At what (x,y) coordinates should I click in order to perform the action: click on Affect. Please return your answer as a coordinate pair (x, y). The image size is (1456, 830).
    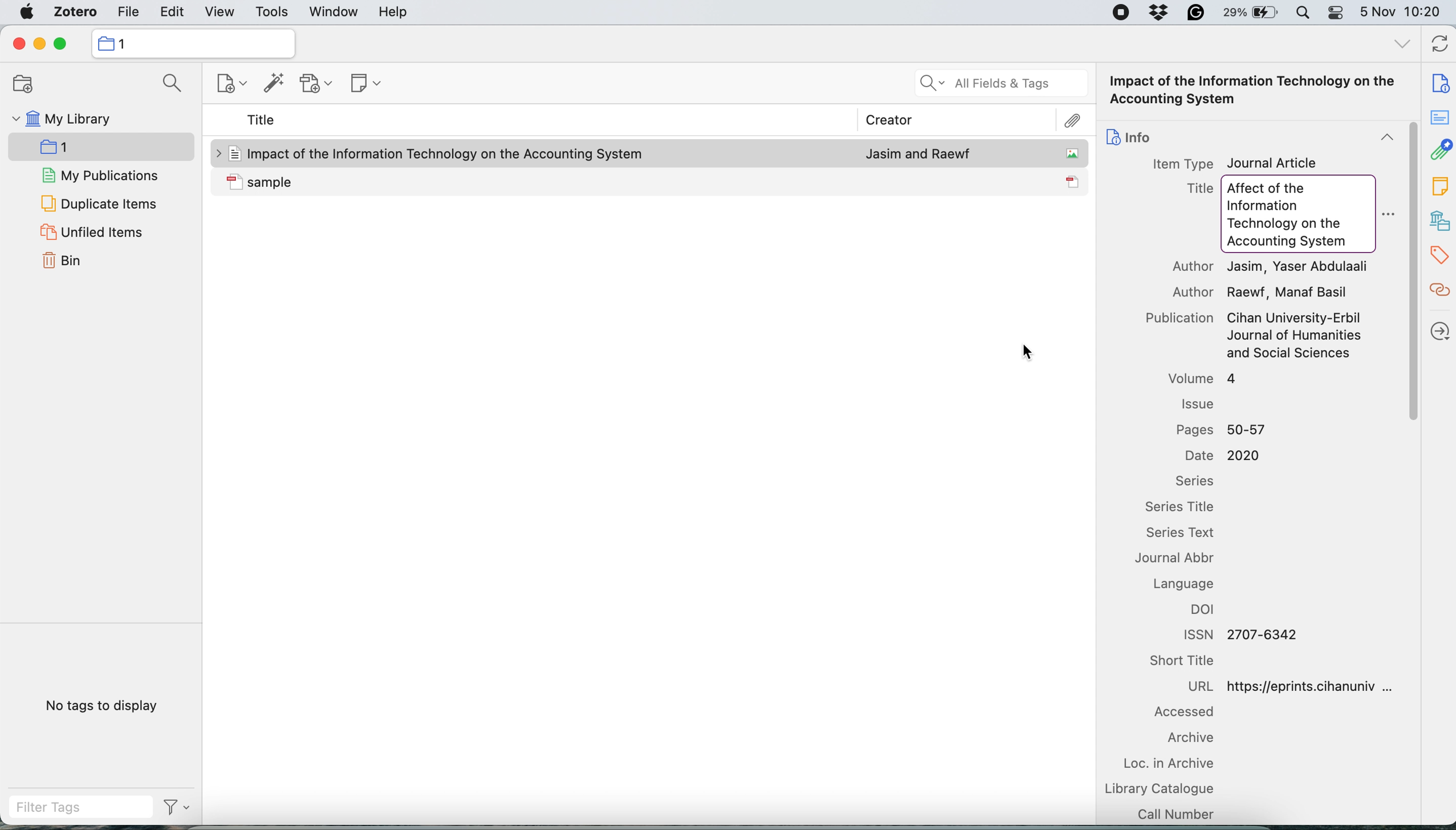
    Looking at the image, I should click on (1245, 189).